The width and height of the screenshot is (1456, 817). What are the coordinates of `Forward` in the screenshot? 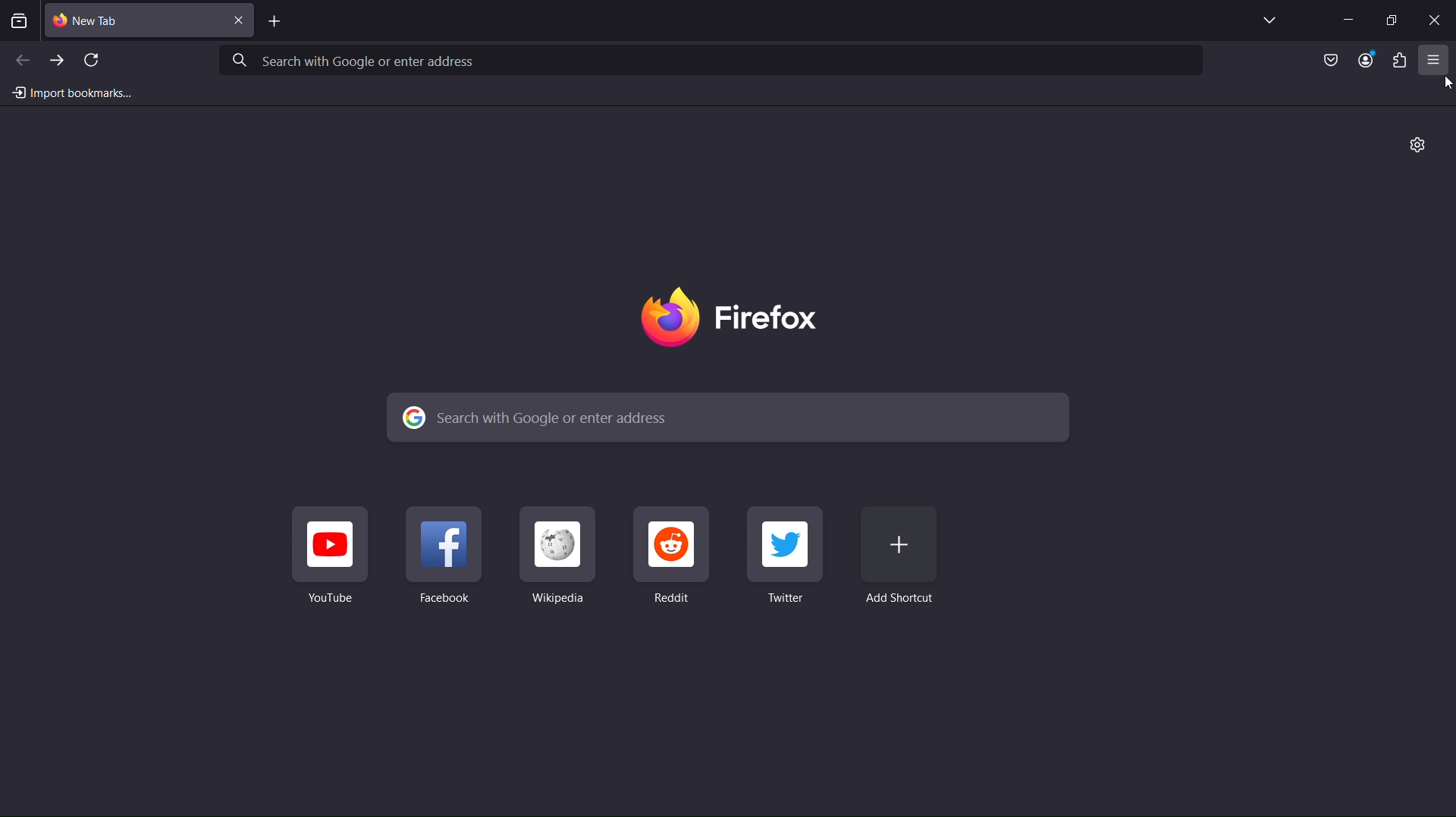 It's located at (55, 62).